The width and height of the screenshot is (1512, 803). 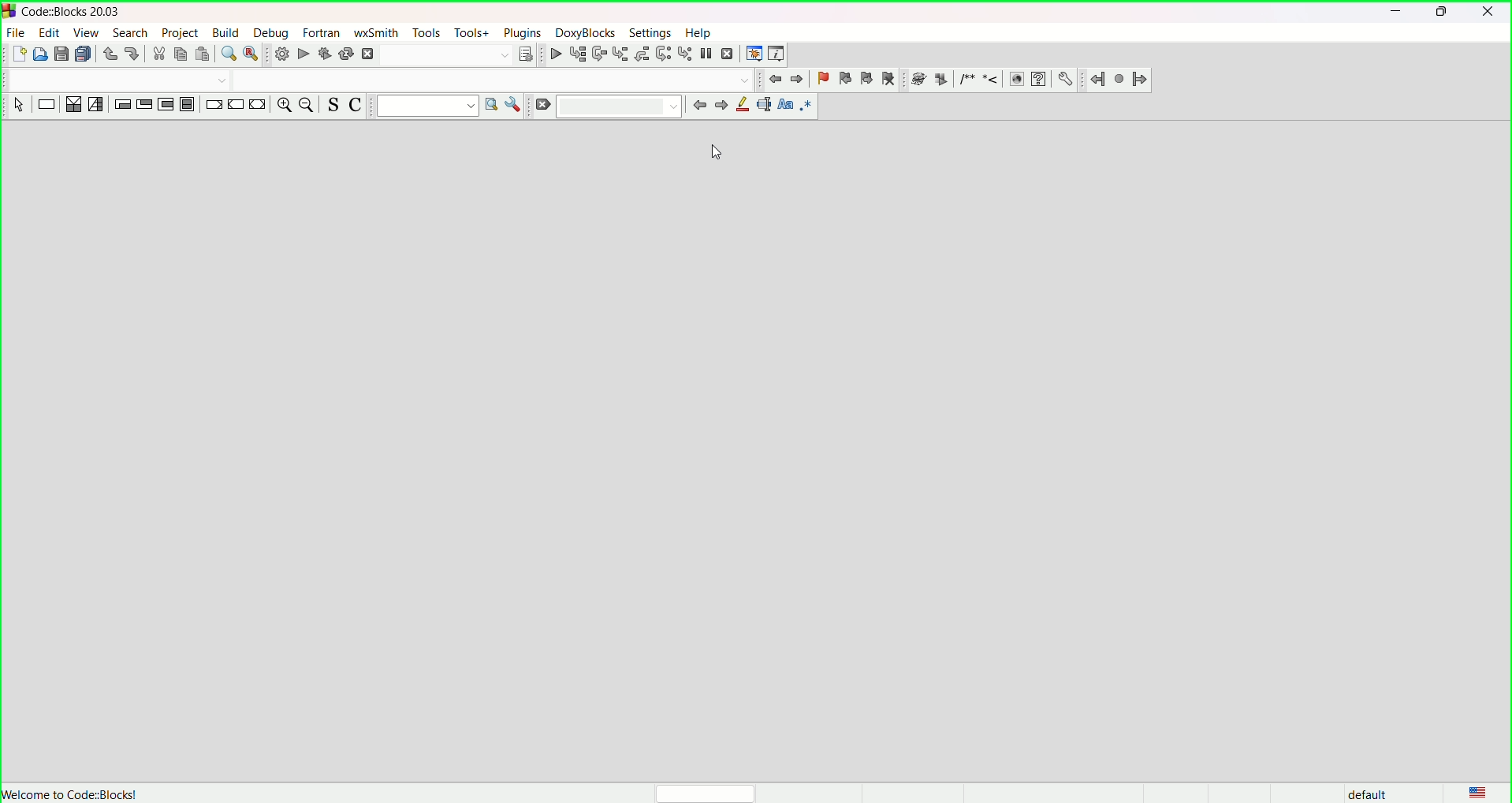 I want to click on highlight, so click(x=743, y=106).